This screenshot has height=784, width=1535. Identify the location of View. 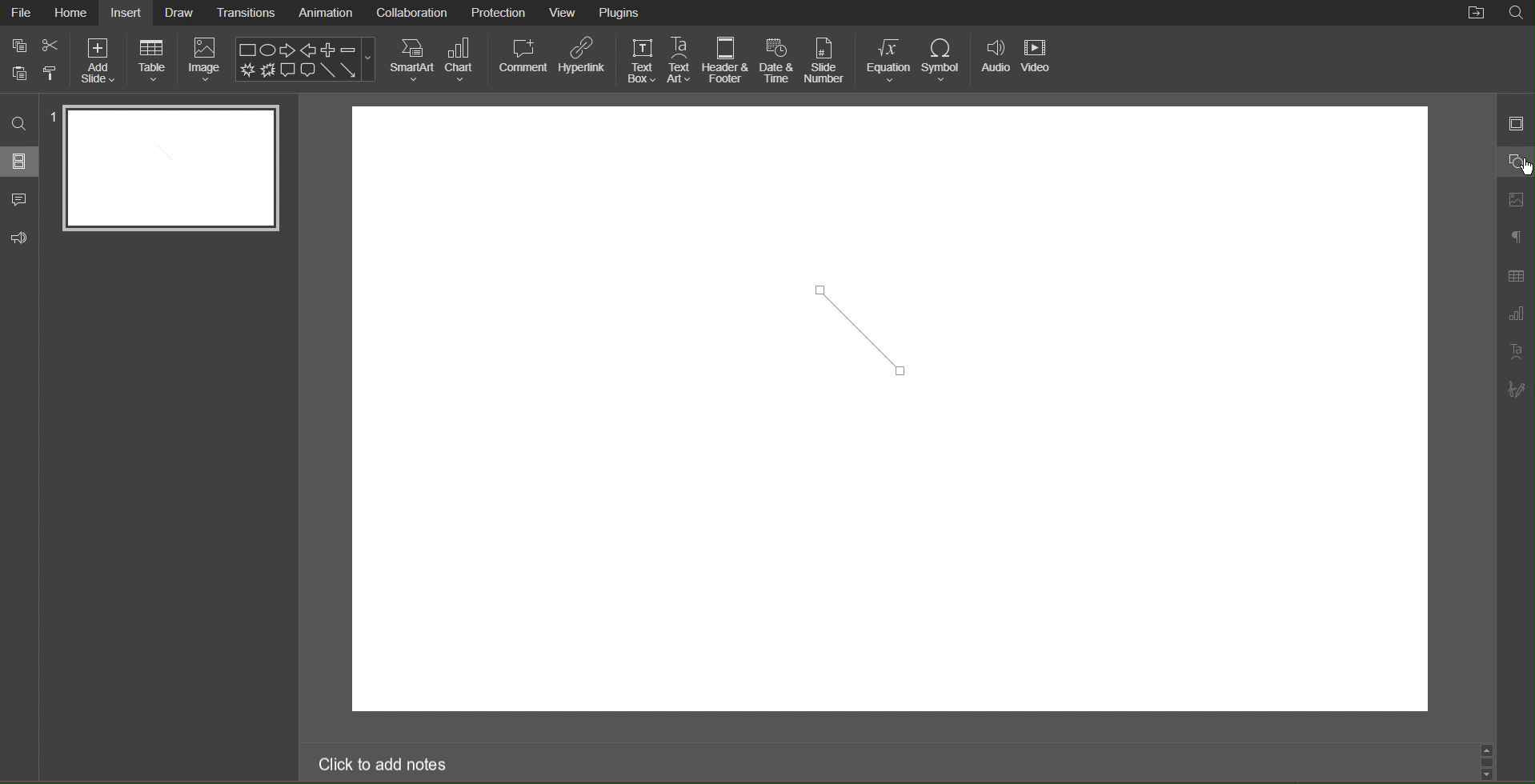
(564, 14).